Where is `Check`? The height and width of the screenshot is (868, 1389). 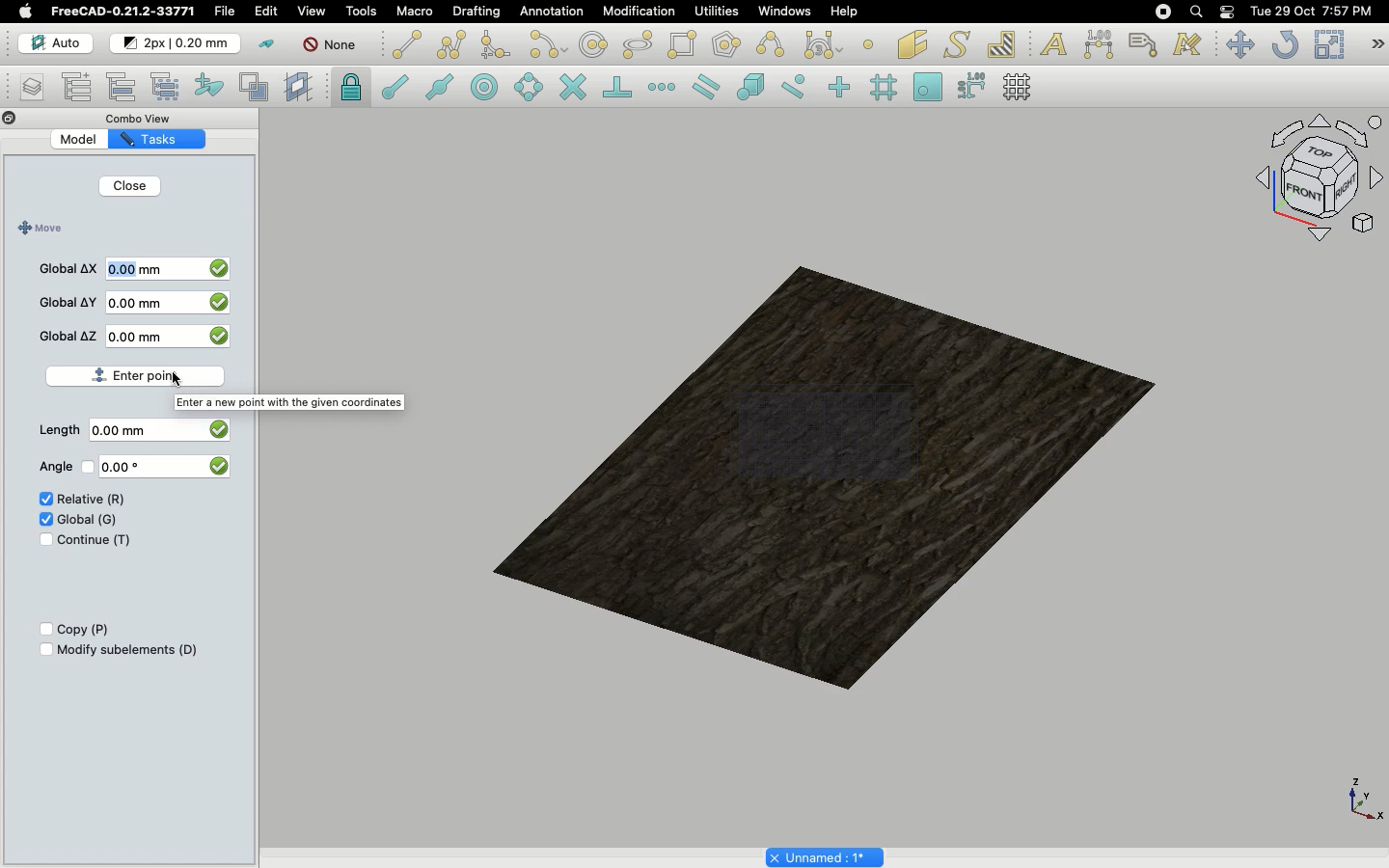
Check is located at coordinates (44, 518).